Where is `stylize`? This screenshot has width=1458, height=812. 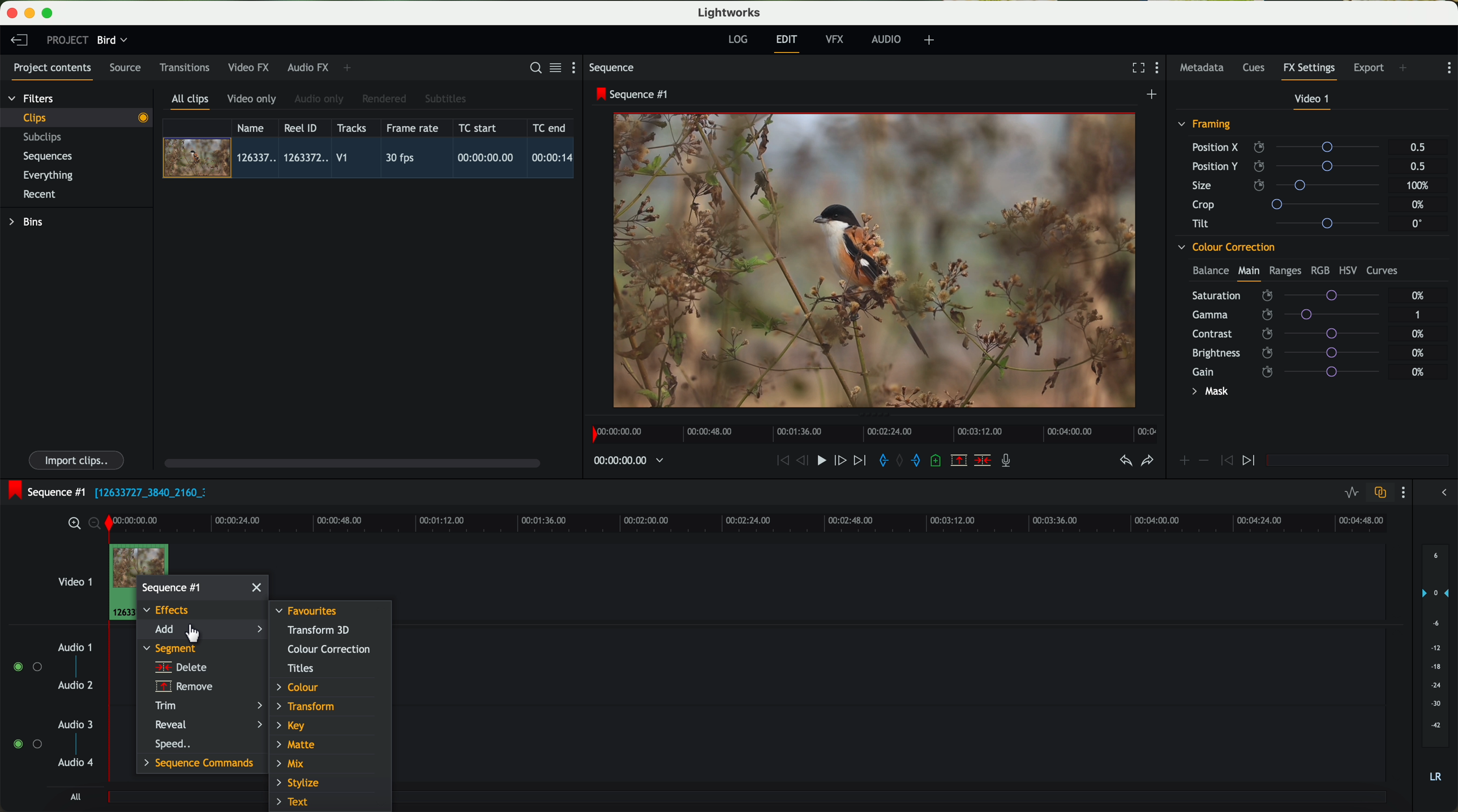 stylize is located at coordinates (298, 784).